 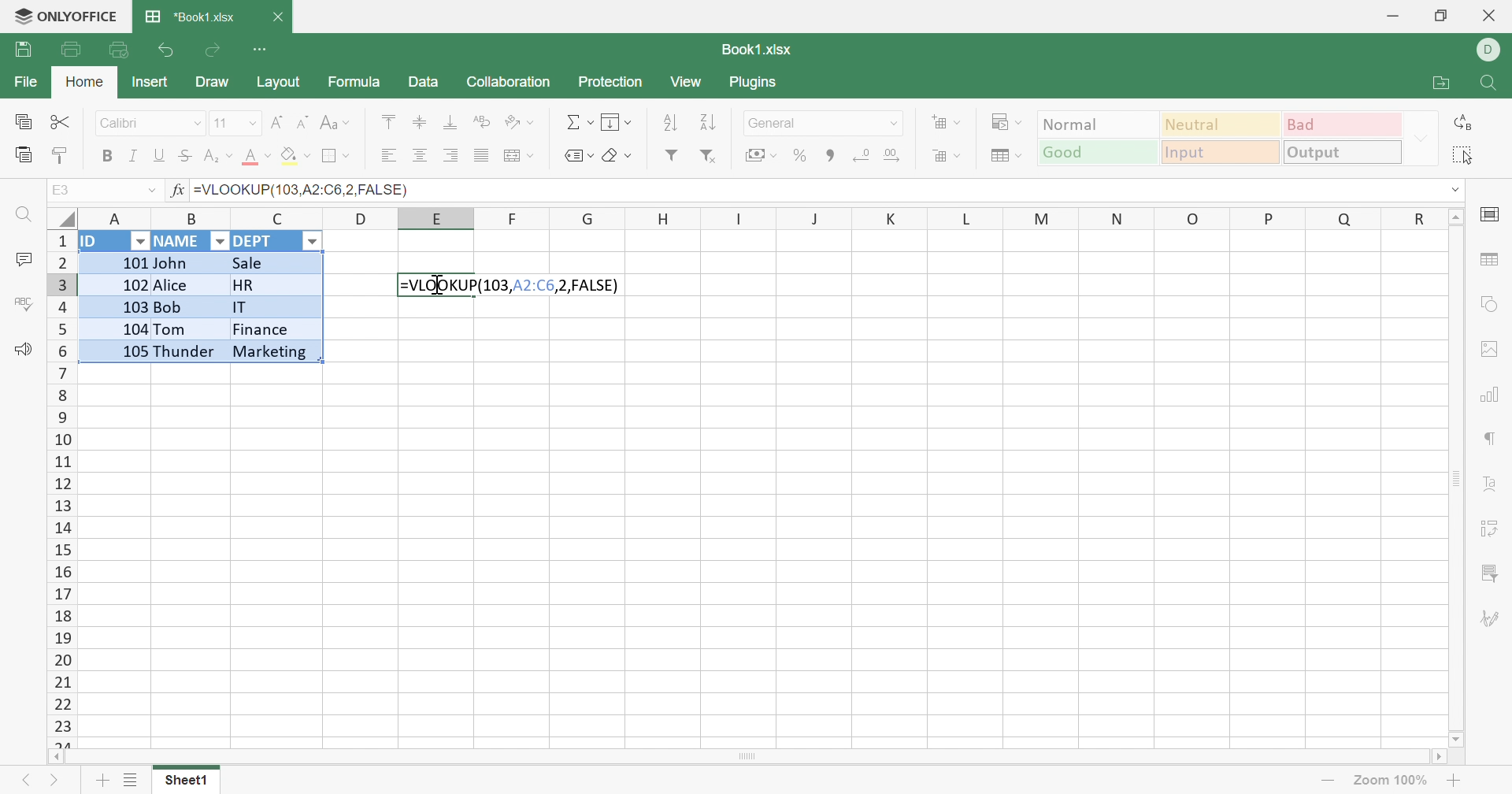 I want to click on table settings, so click(x=1490, y=260).